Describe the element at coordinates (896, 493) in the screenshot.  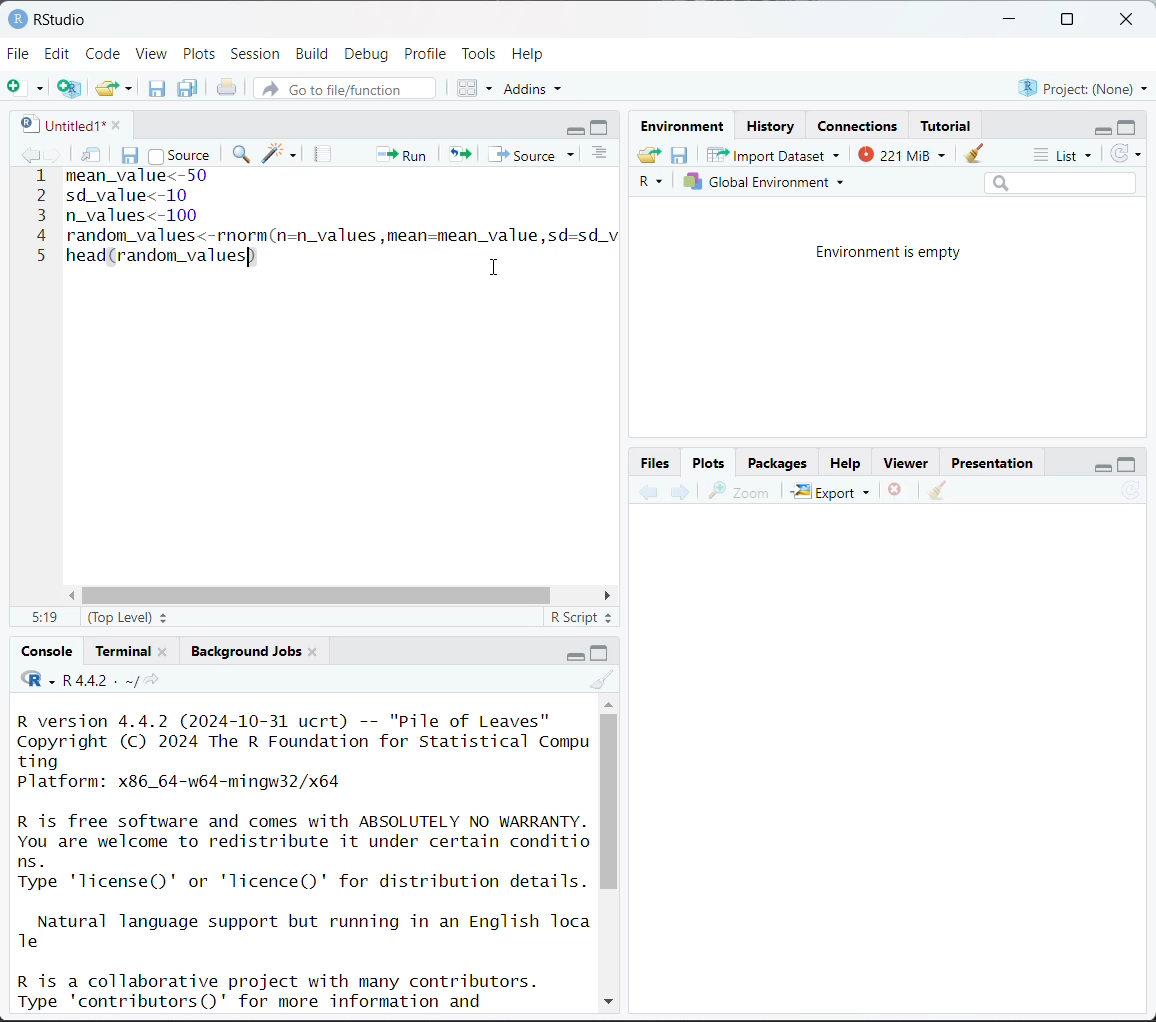
I see `remove the current plot` at that location.